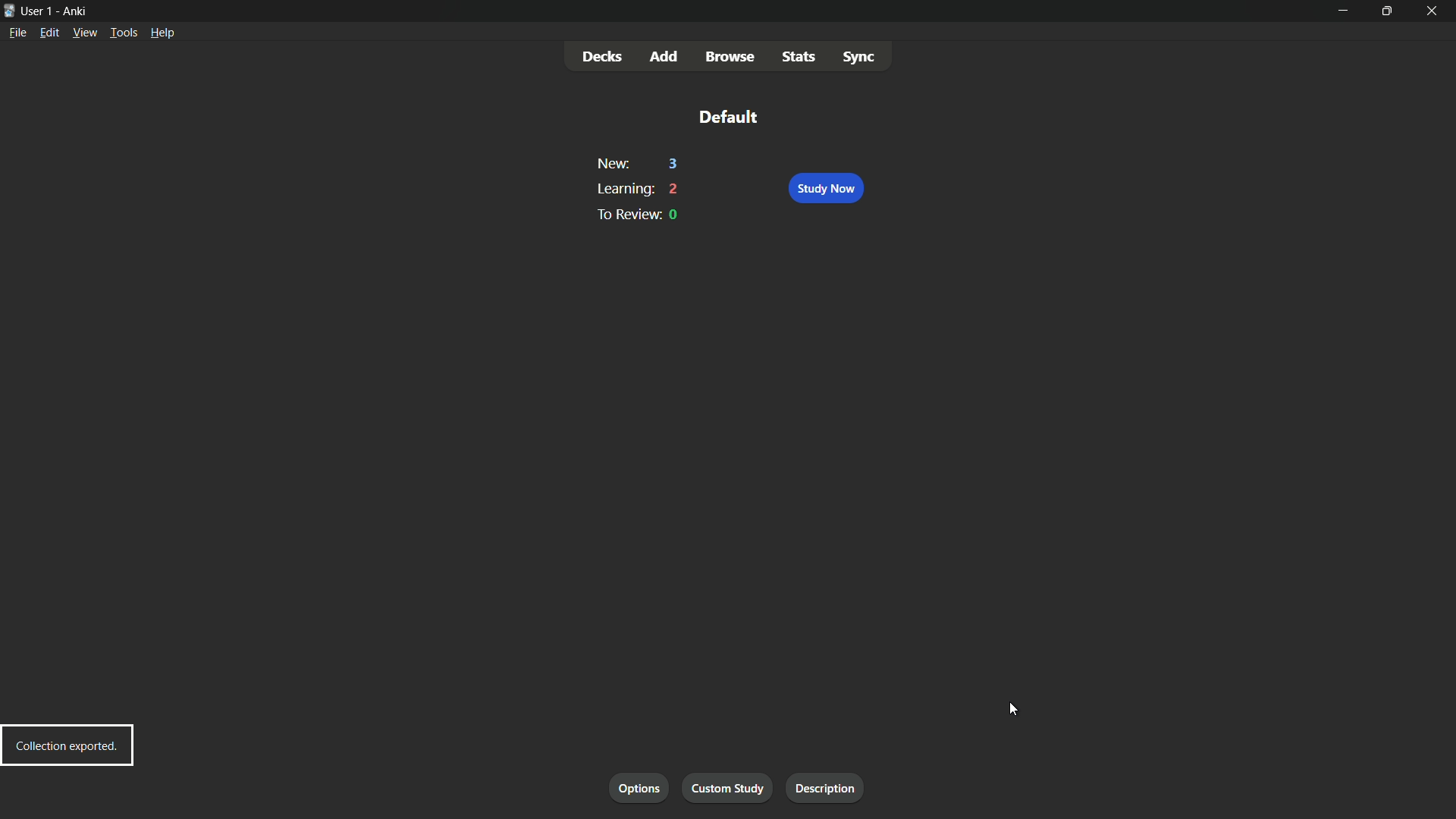  Describe the element at coordinates (76, 10) in the screenshot. I see `app name` at that location.